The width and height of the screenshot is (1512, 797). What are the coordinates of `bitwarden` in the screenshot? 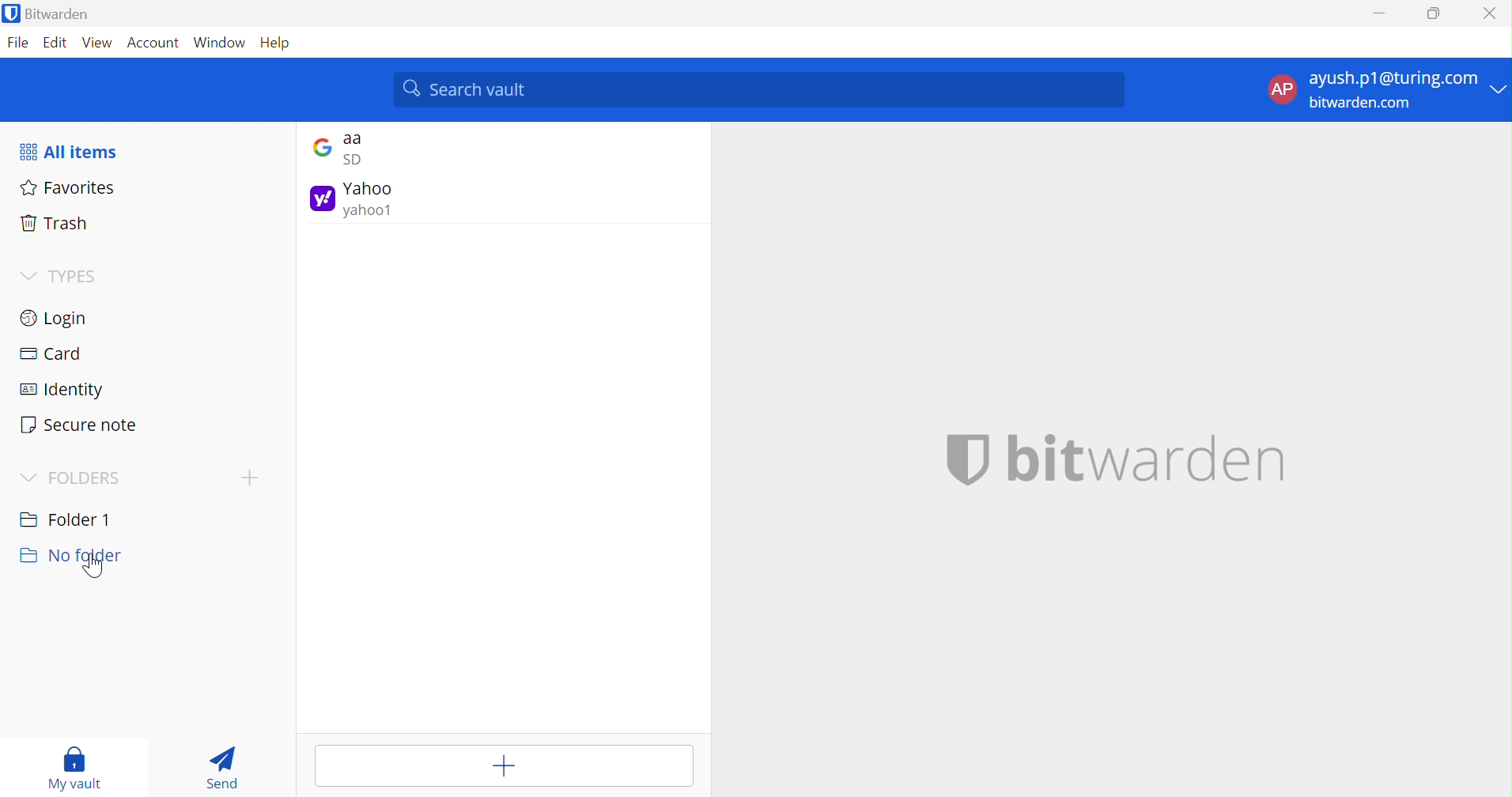 It's located at (1150, 461).